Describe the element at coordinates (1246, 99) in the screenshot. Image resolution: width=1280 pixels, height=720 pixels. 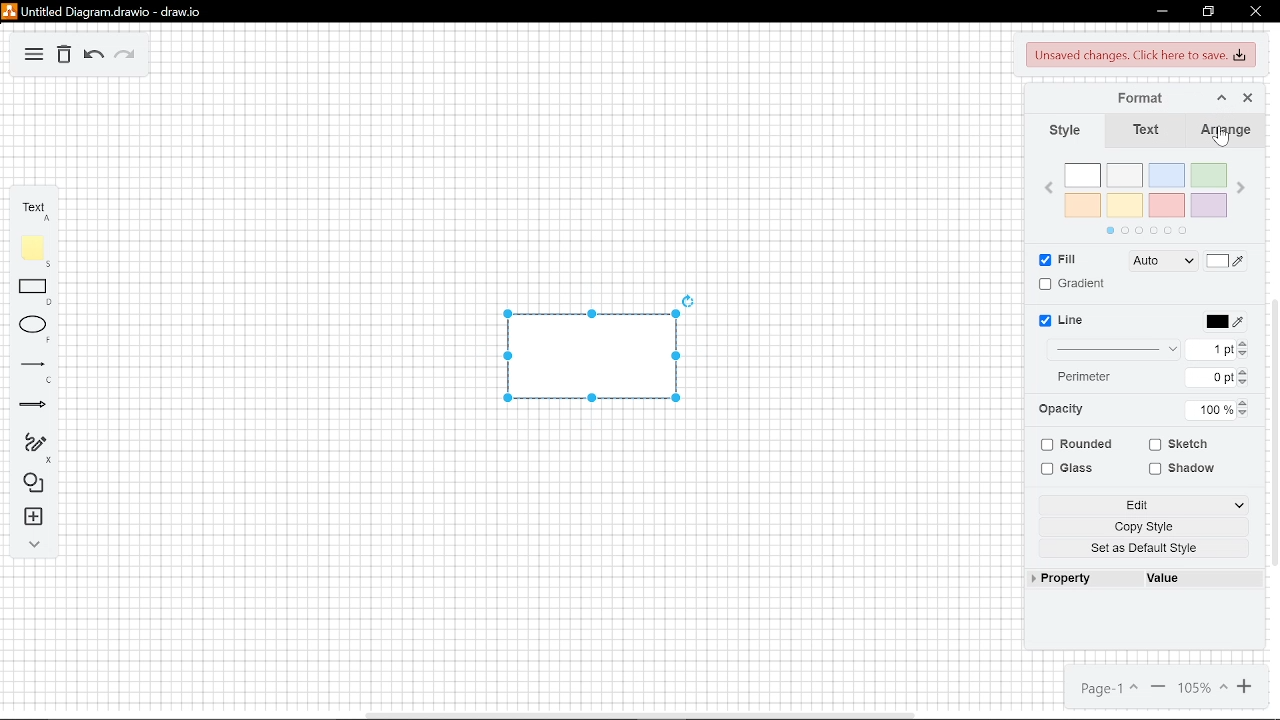
I see `close` at that location.